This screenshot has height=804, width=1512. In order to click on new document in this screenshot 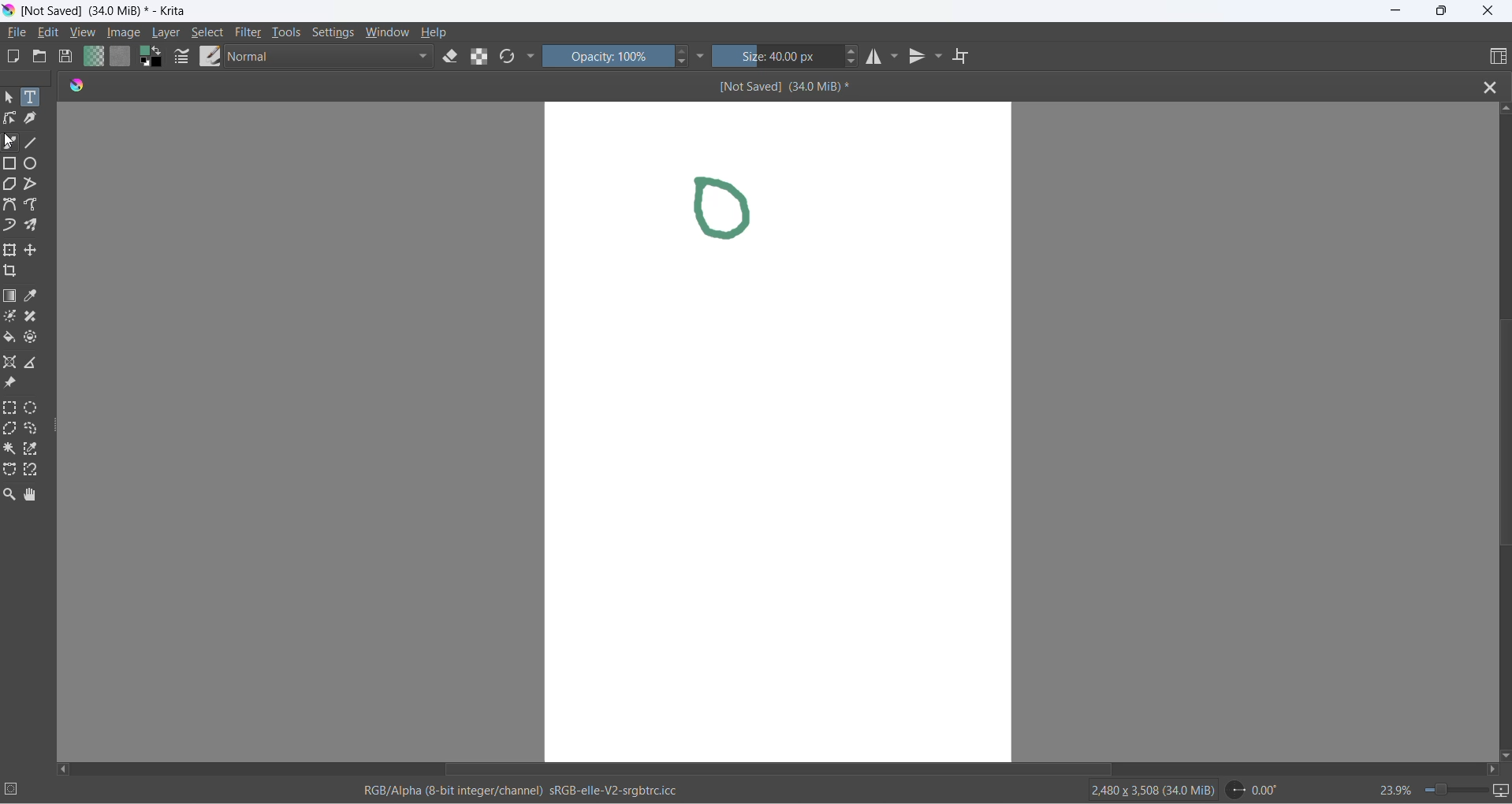, I will do `click(17, 57)`.